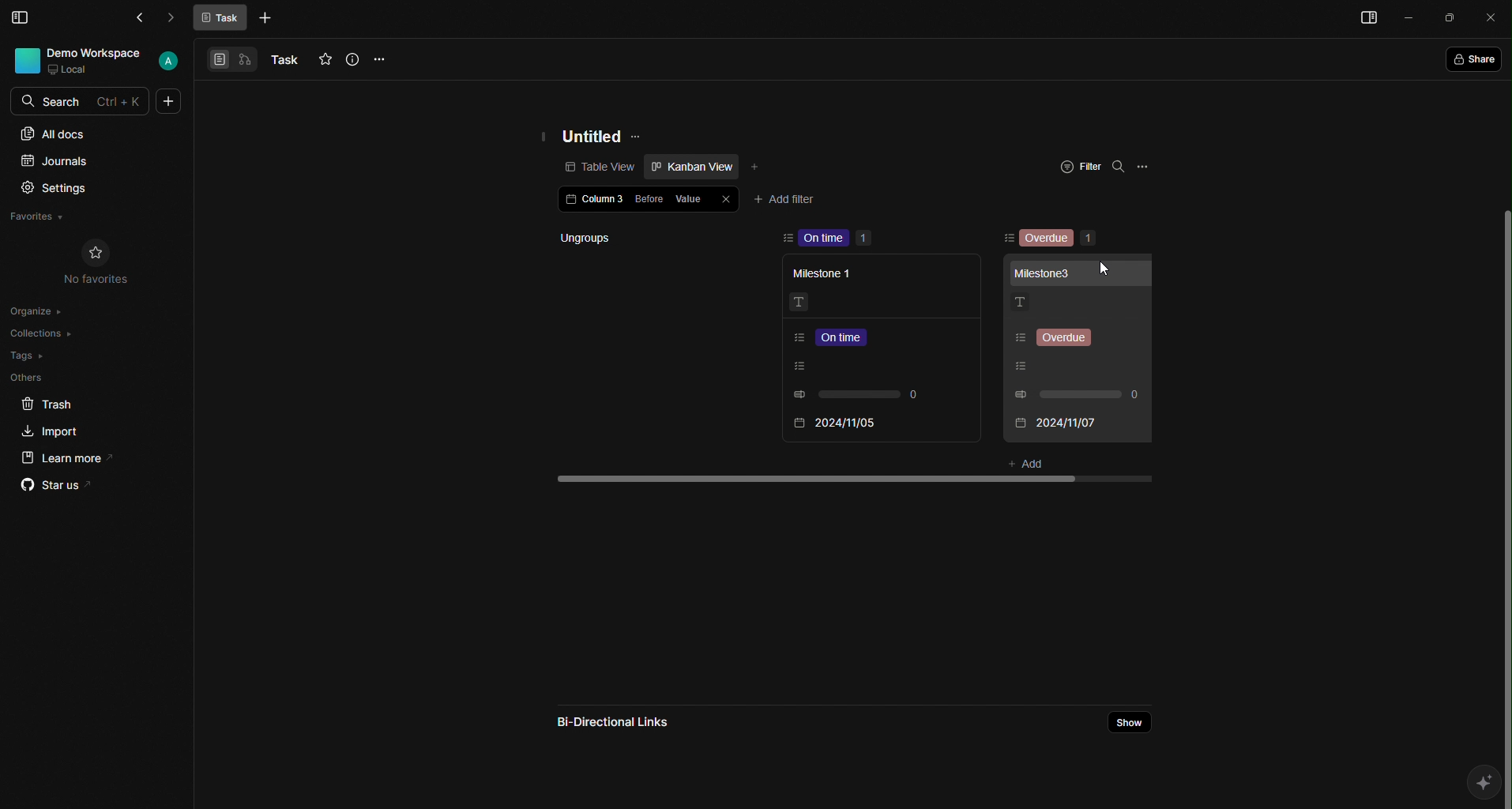 The image size is (1512, 809). I want to click on Share, so click(1475, 59).